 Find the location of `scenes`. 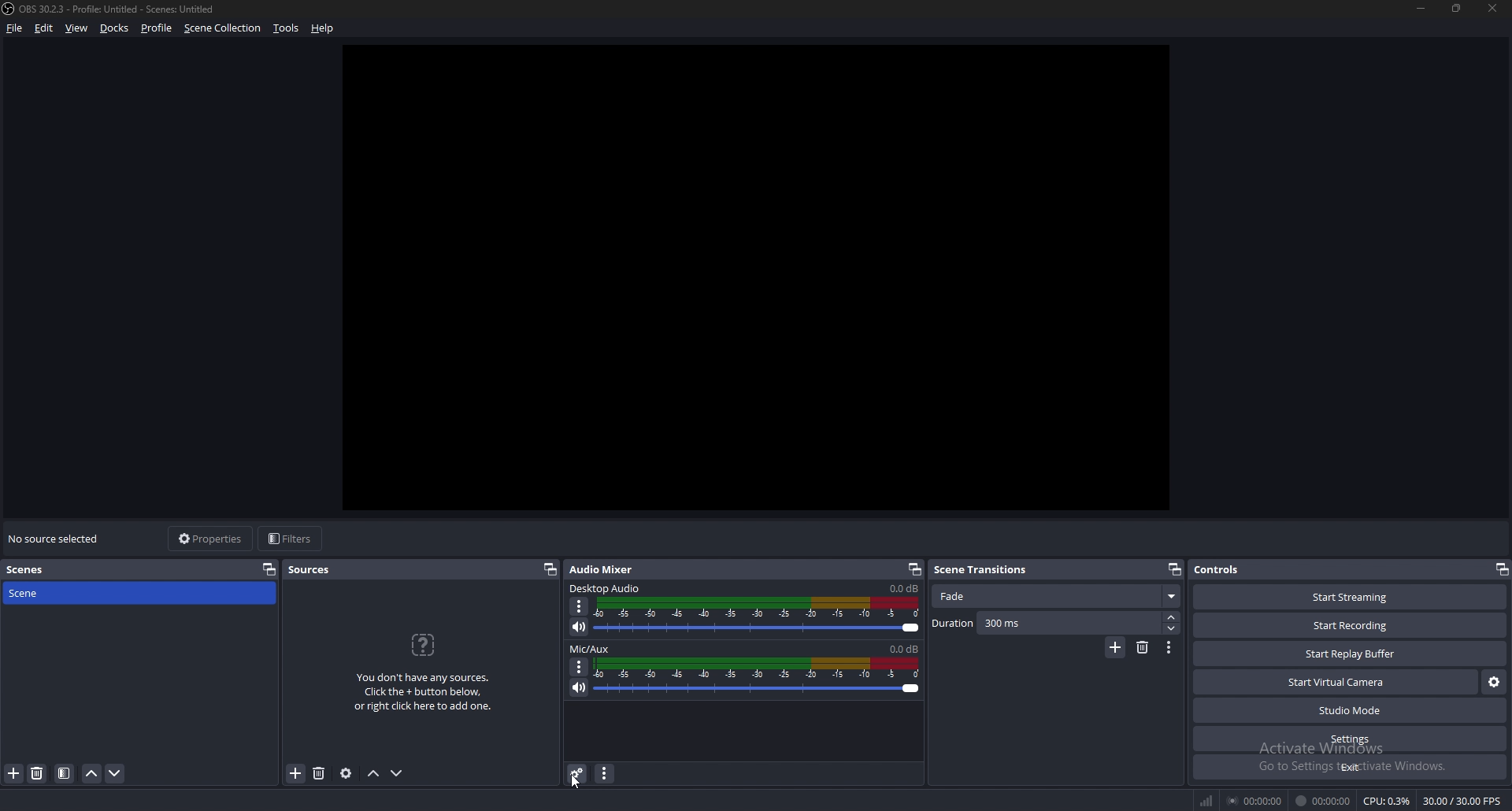

scenes is located at coordinates (41, 568).